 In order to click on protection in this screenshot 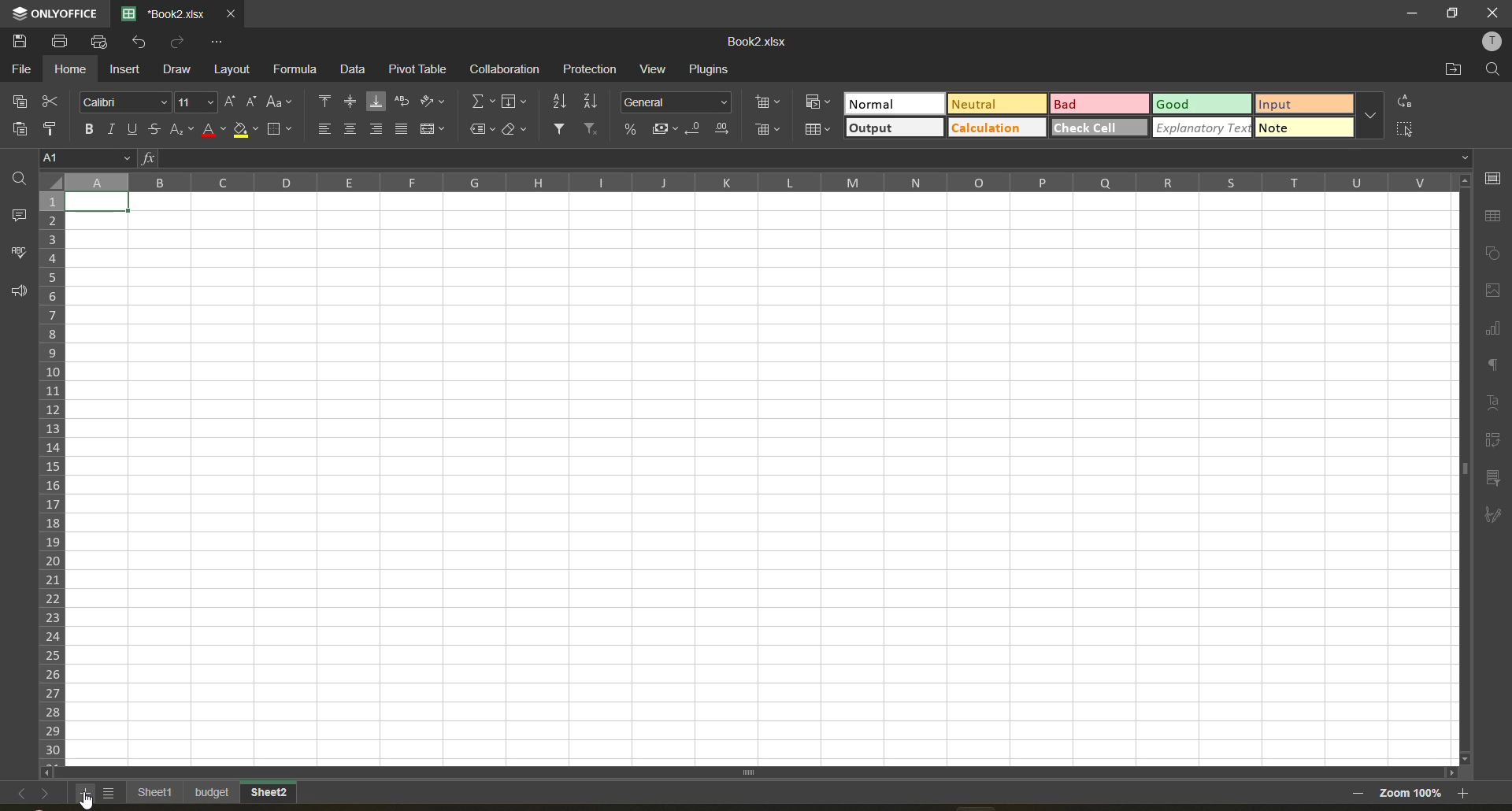, I will do `click(589, 71)`.